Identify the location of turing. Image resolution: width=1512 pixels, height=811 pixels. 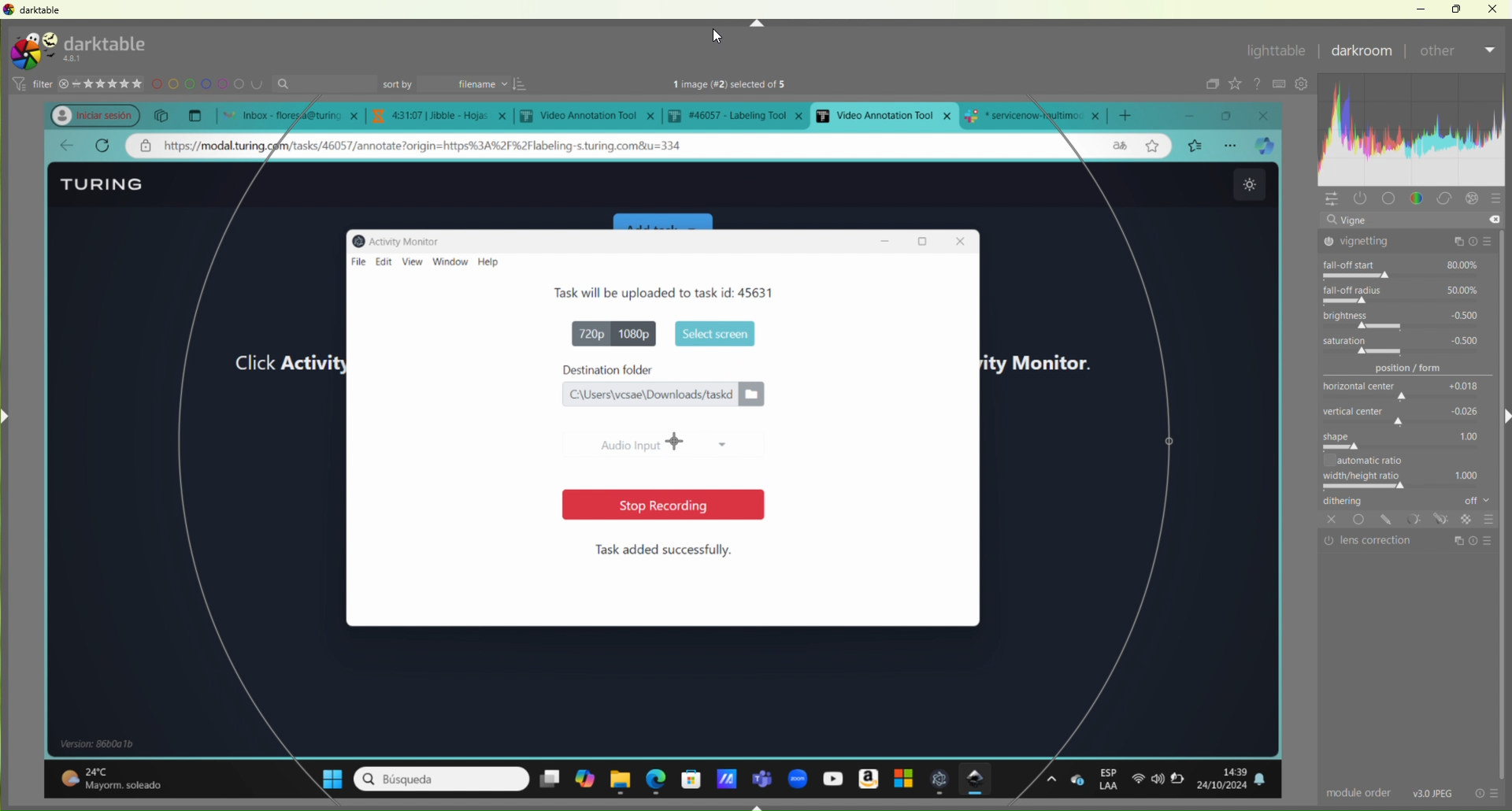
(96, 48).